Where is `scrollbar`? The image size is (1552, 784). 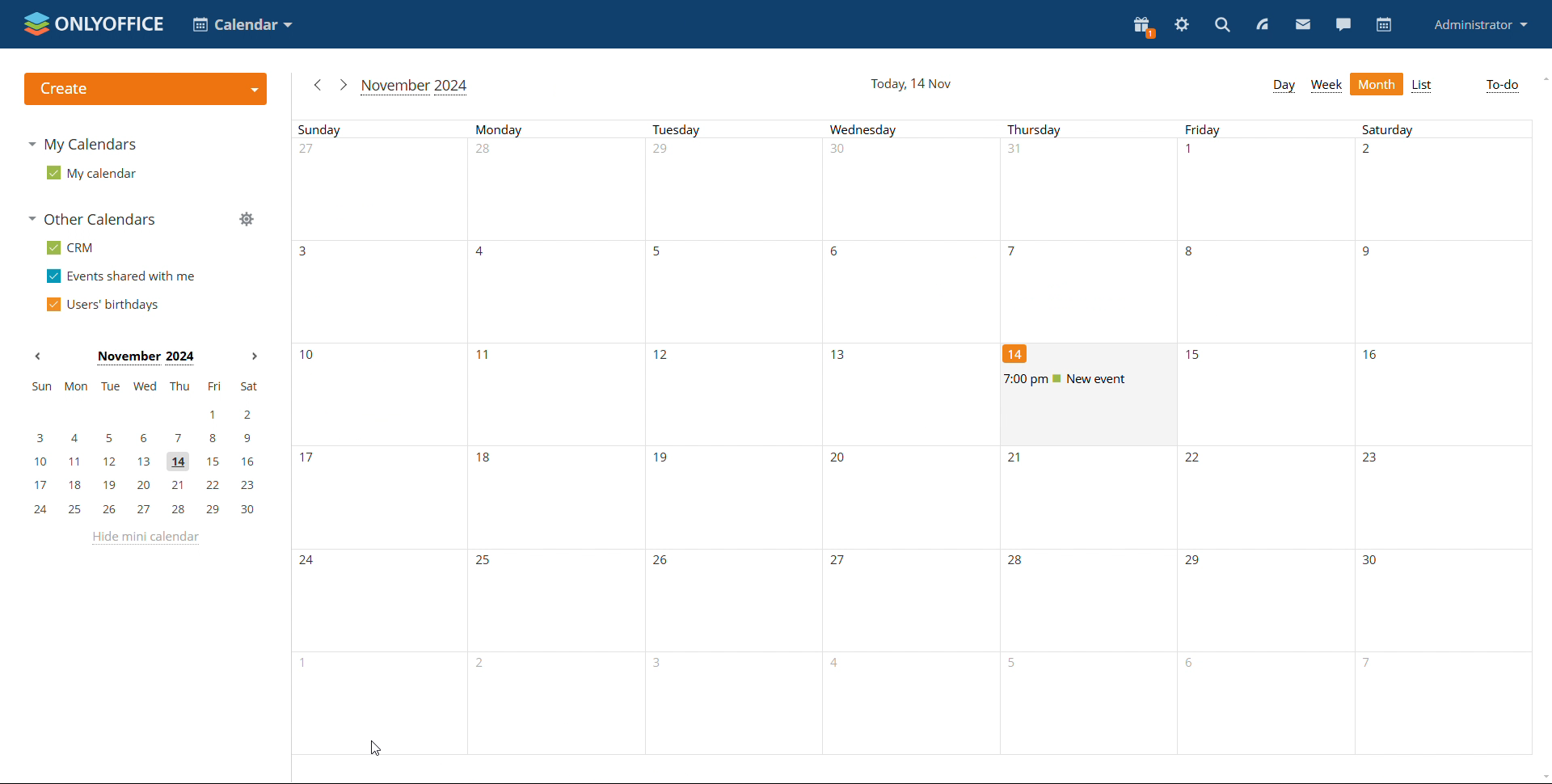
scrollbar is located at coordinates (1546, 366).